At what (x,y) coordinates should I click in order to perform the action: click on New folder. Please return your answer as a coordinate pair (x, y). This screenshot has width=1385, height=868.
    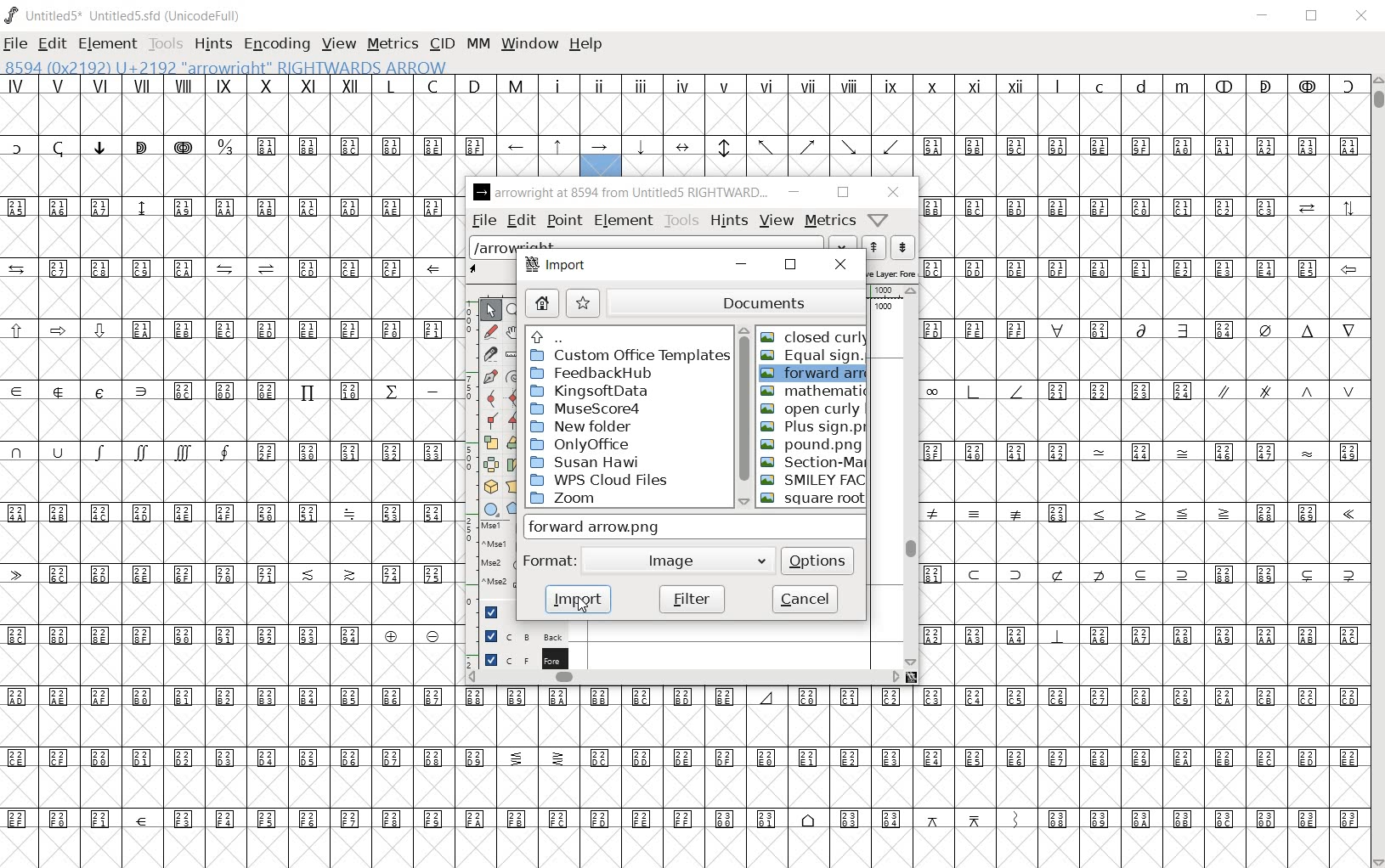
    Looking at the image, I should click on (585, 427).